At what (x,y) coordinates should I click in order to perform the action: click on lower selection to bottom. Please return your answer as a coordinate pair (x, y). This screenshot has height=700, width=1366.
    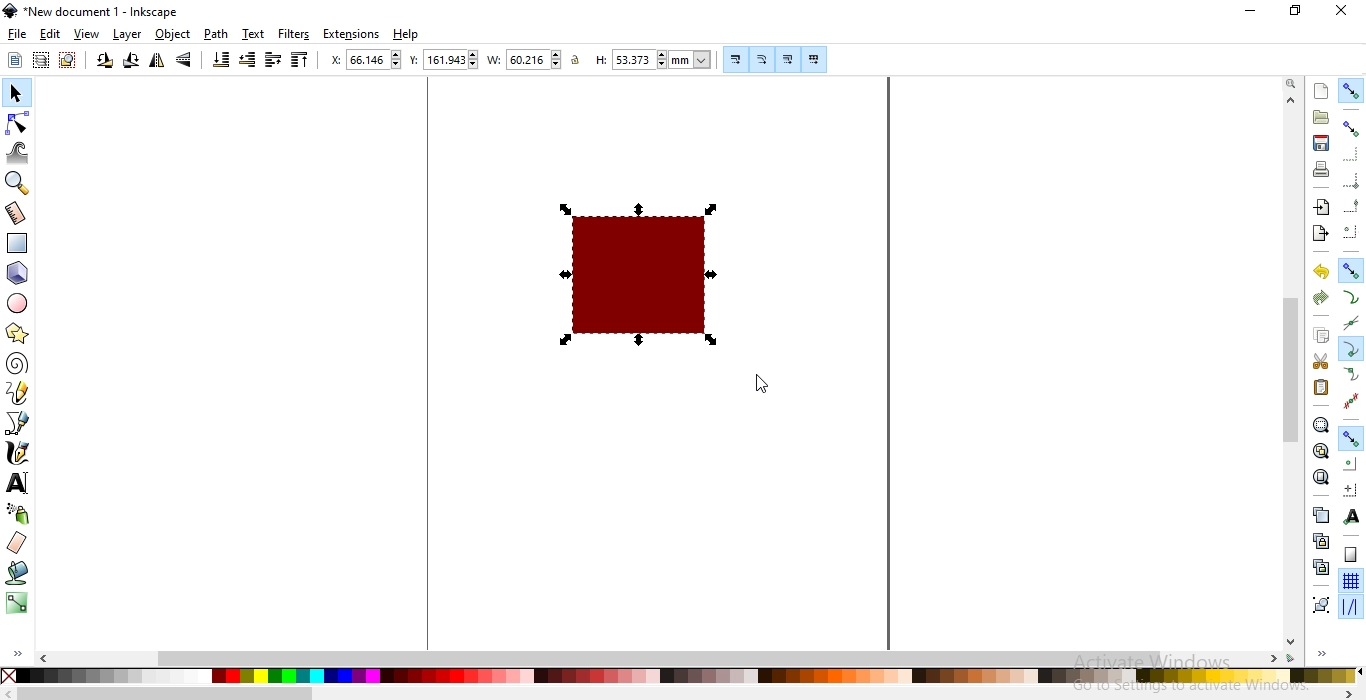
    Looking at the image, I should click on (222, 60).